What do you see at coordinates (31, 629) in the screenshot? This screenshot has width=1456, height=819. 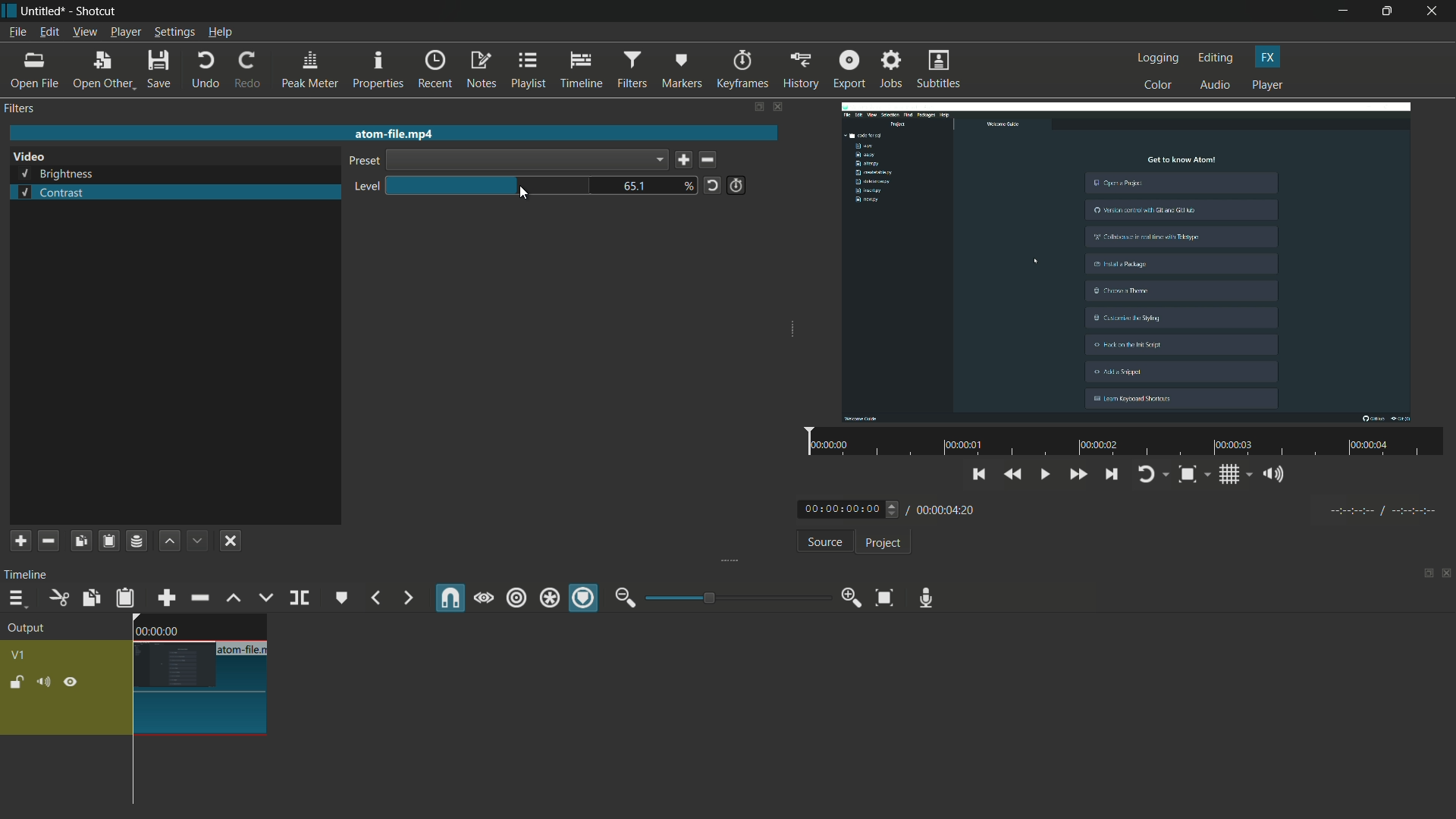 I see `output` at bounding box center [31, 629].